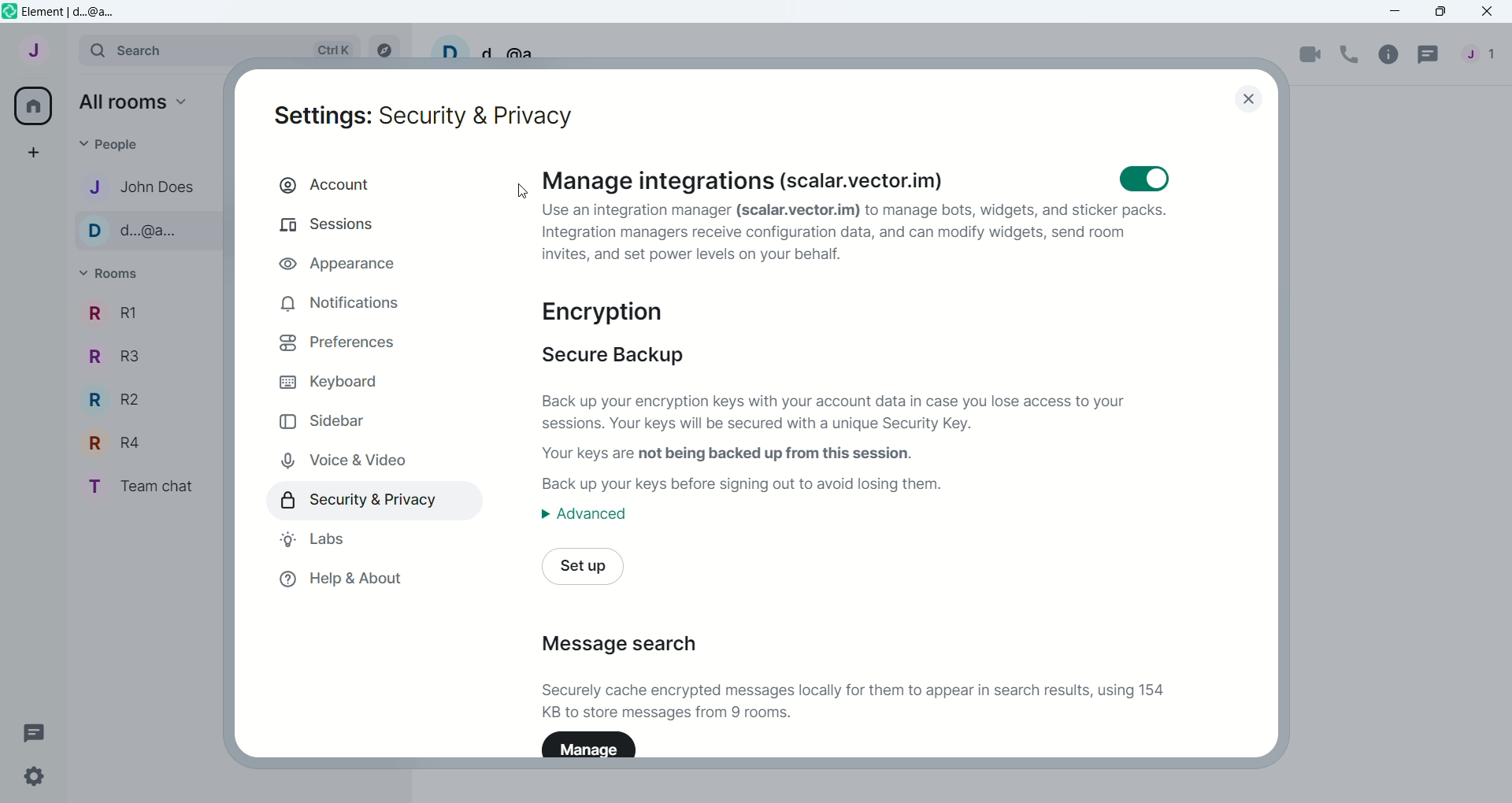 This screenshot has width=1512, height=803. I want to click on settings: security and privacy, so click(428, 121).